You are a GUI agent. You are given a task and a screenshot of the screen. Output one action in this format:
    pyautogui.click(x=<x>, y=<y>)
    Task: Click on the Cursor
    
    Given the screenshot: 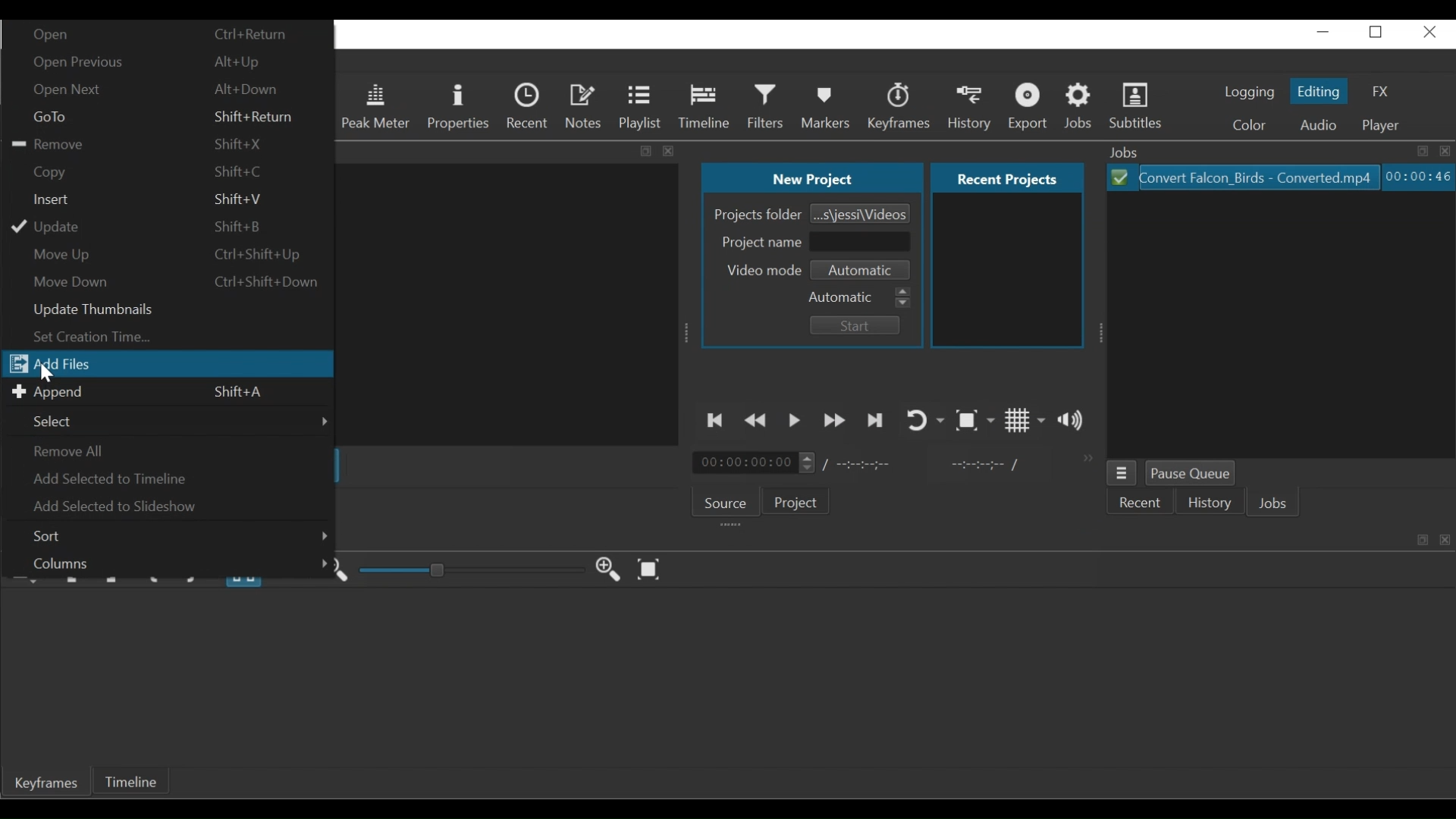 What is the action you would take?
    pyautogui.click(x=44, y=372)
    